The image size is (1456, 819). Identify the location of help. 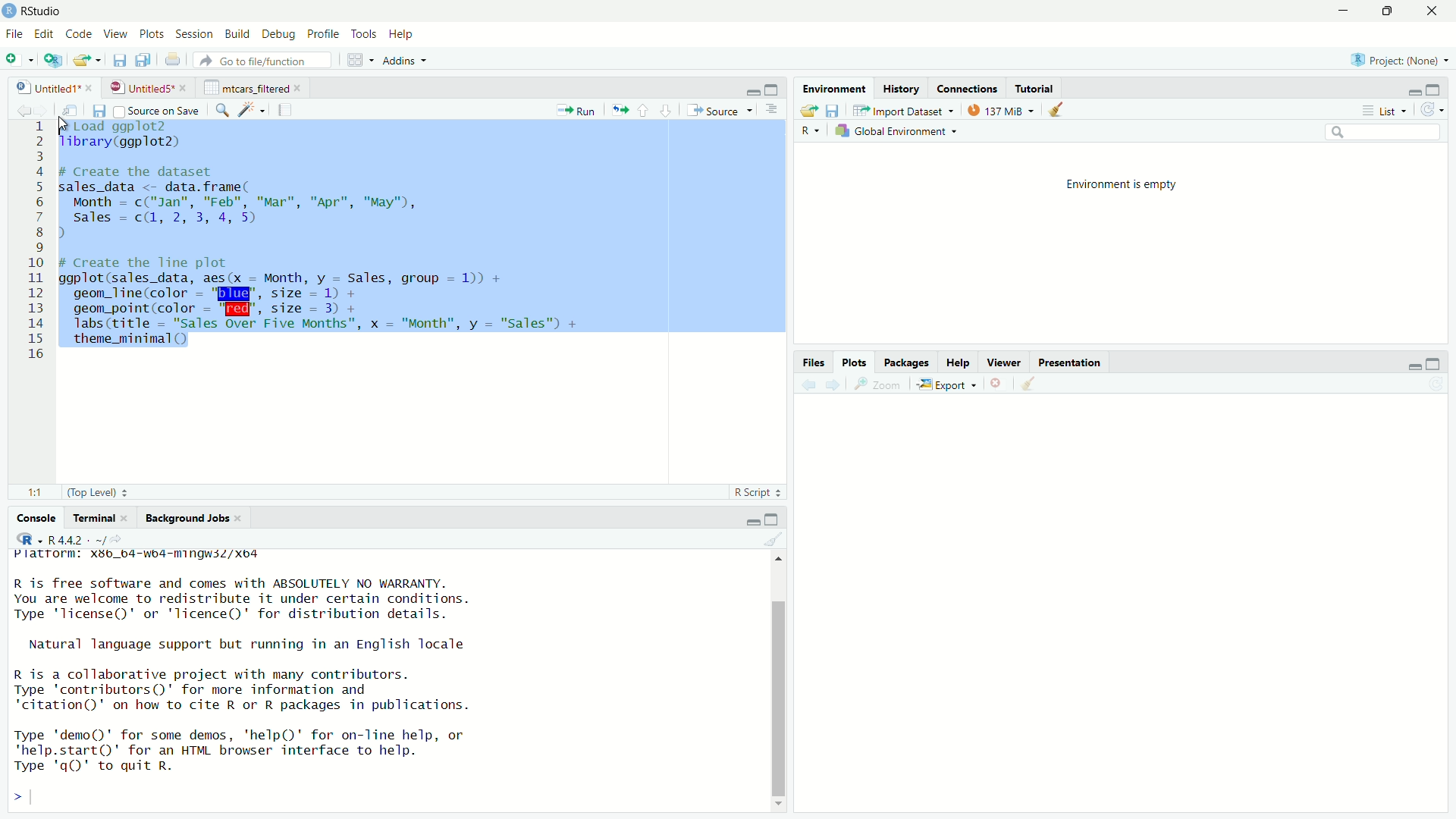
(404, 36).